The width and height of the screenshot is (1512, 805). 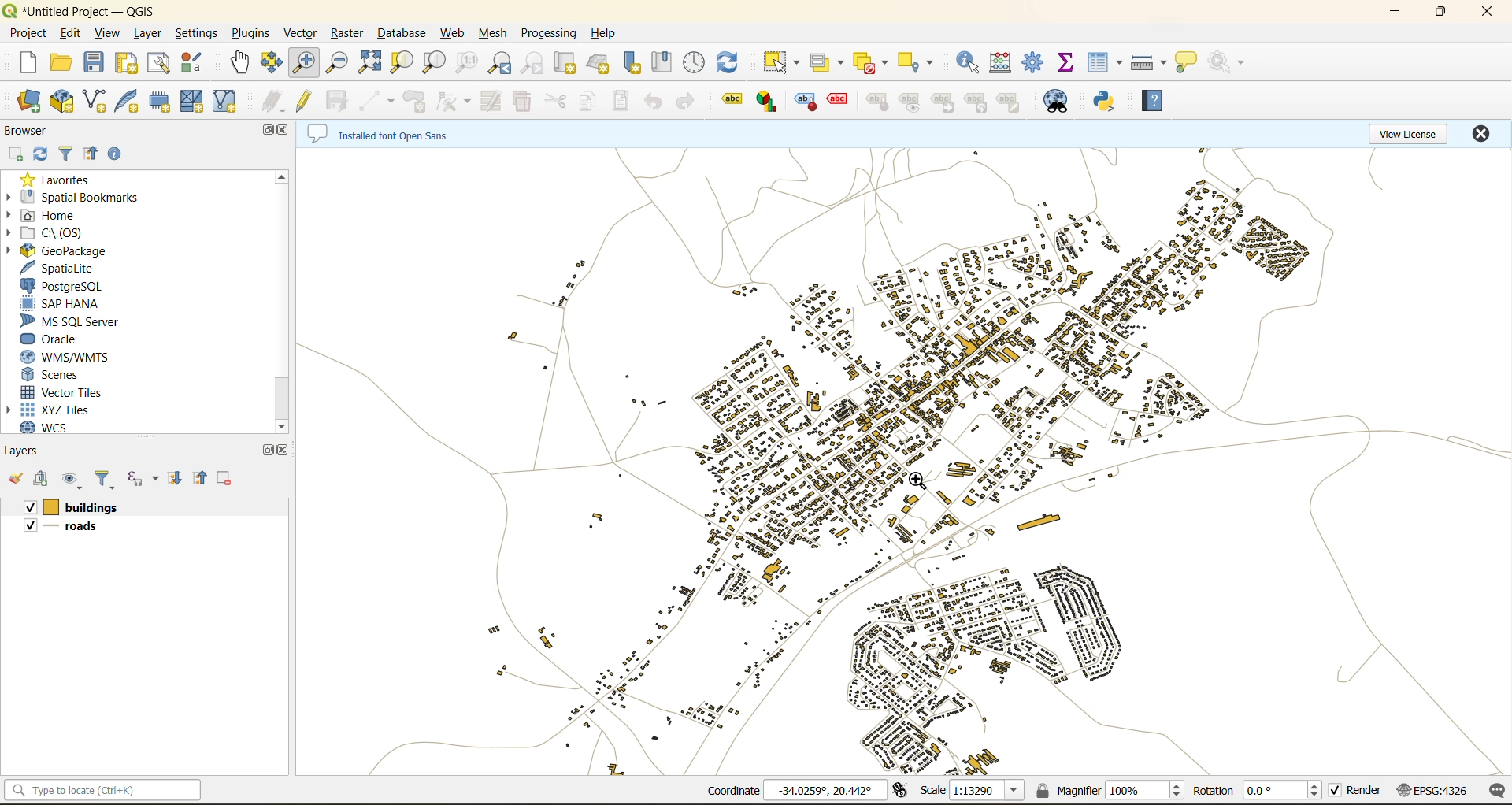 I want to click on pan to selection, so click(x=273, y=65).